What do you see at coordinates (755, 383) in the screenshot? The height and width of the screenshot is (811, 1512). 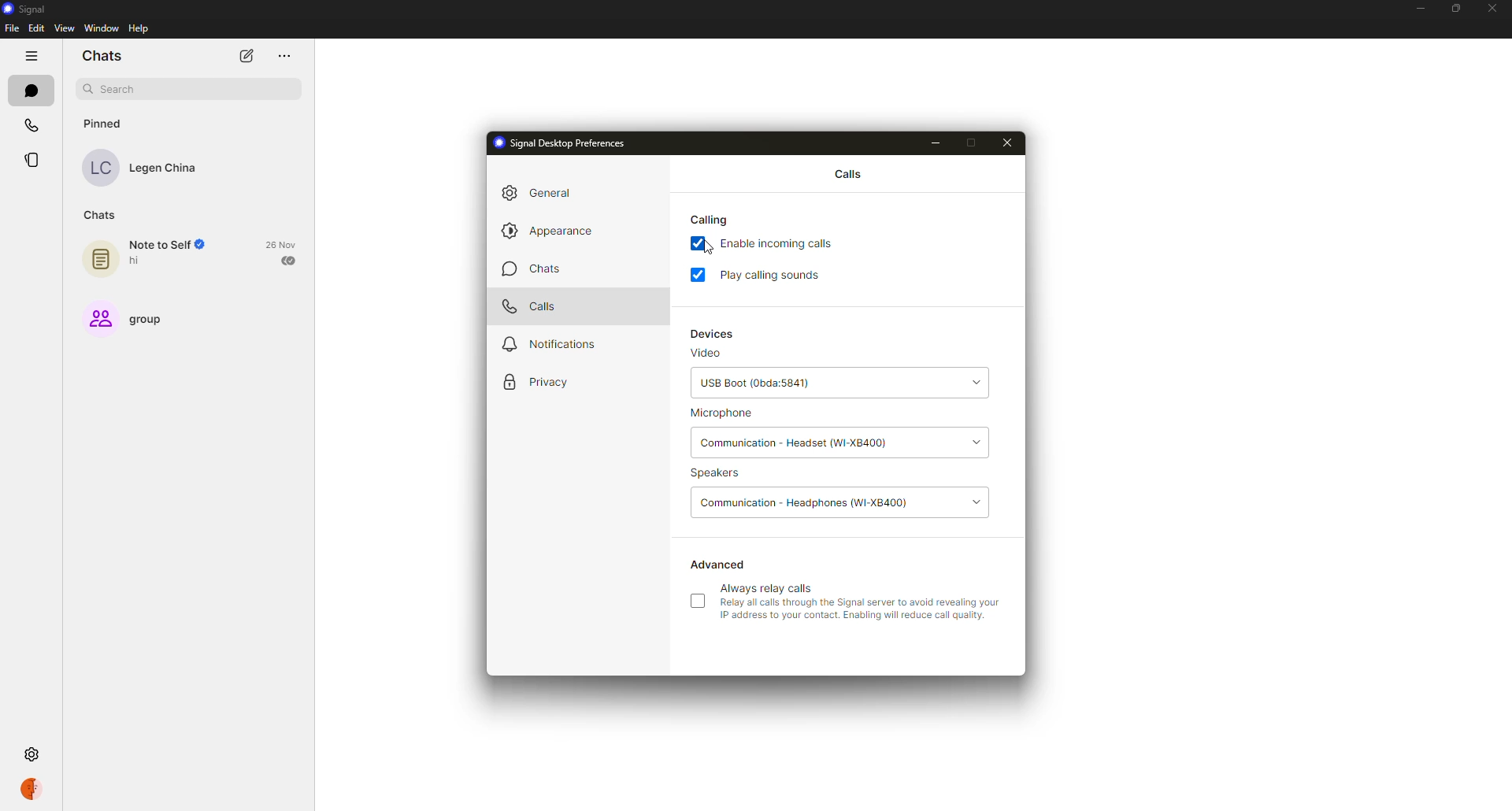 I see `usb root` at bounding box center [755, 383].